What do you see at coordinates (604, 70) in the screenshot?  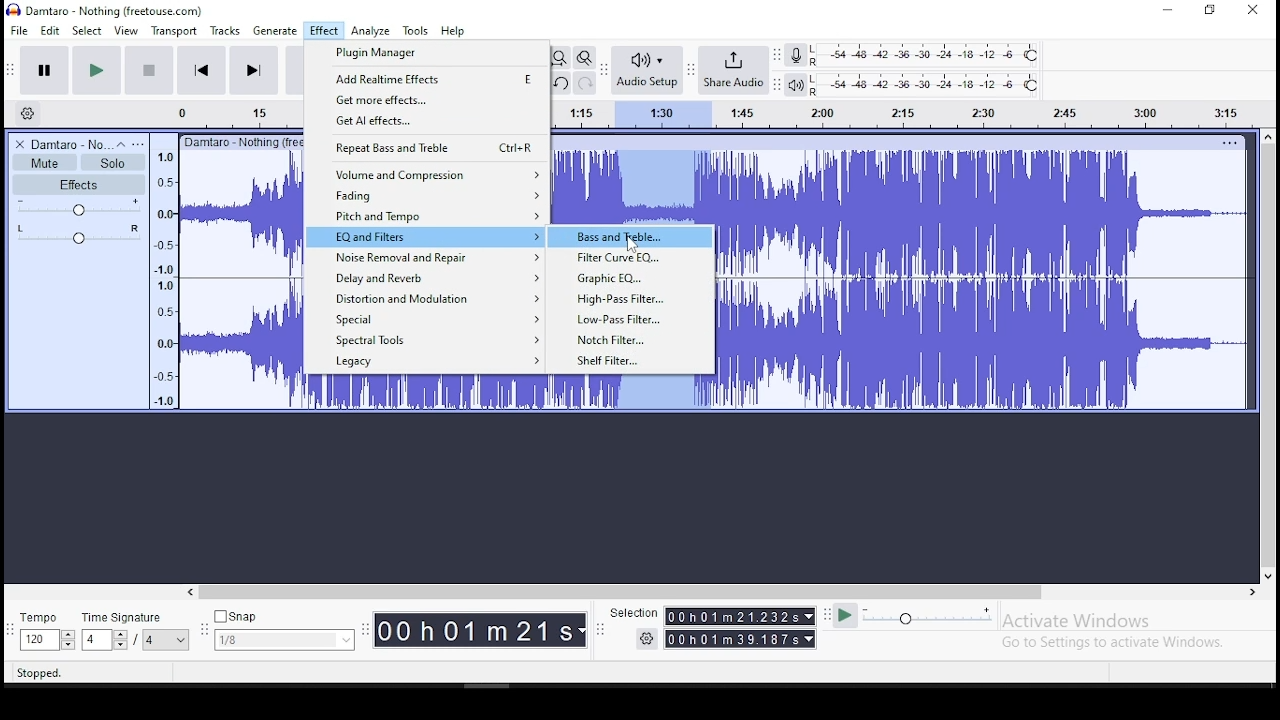 I see `` at bounding box center [604, 70].